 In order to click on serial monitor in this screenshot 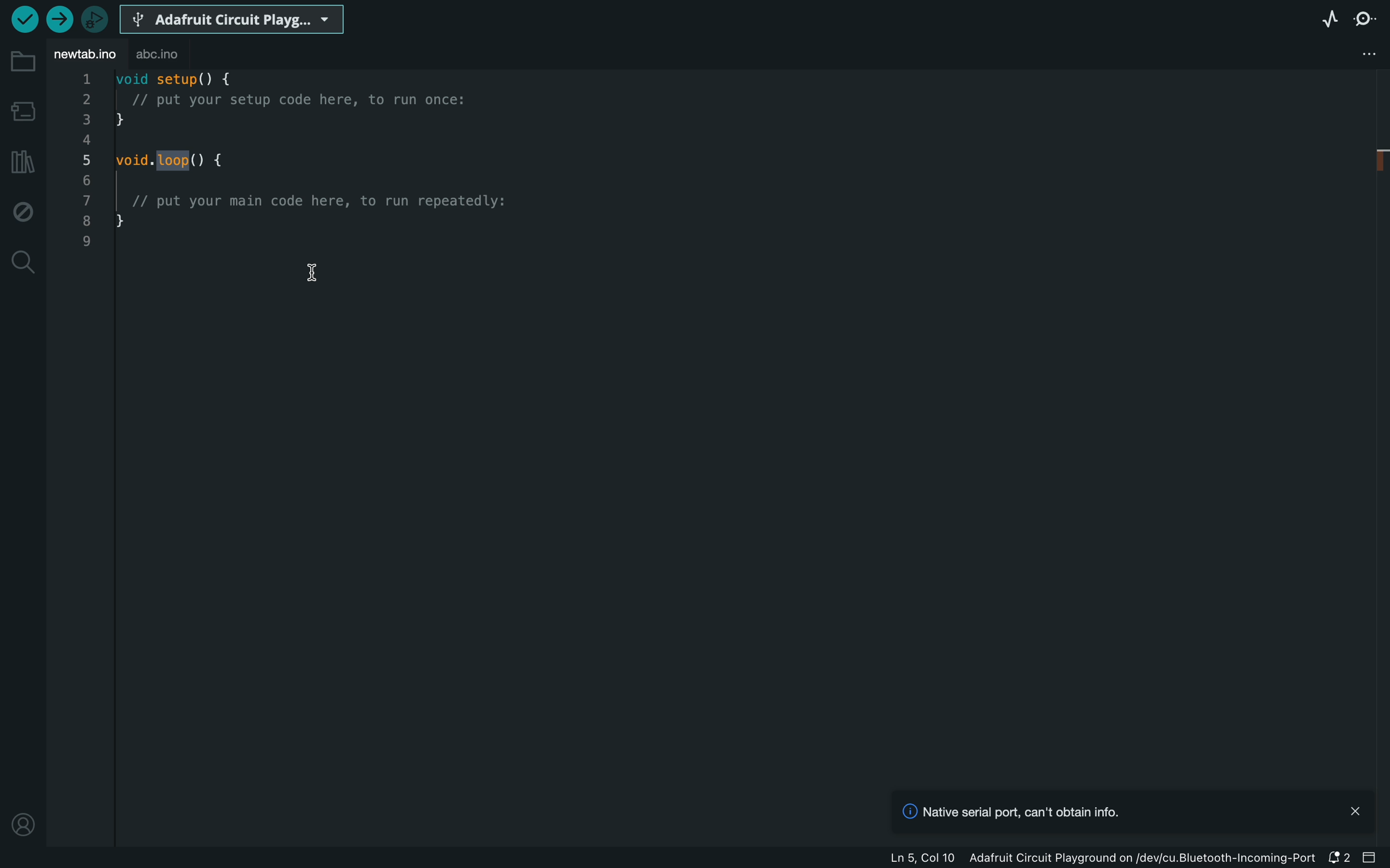, I will do `click(1364, 18)`.